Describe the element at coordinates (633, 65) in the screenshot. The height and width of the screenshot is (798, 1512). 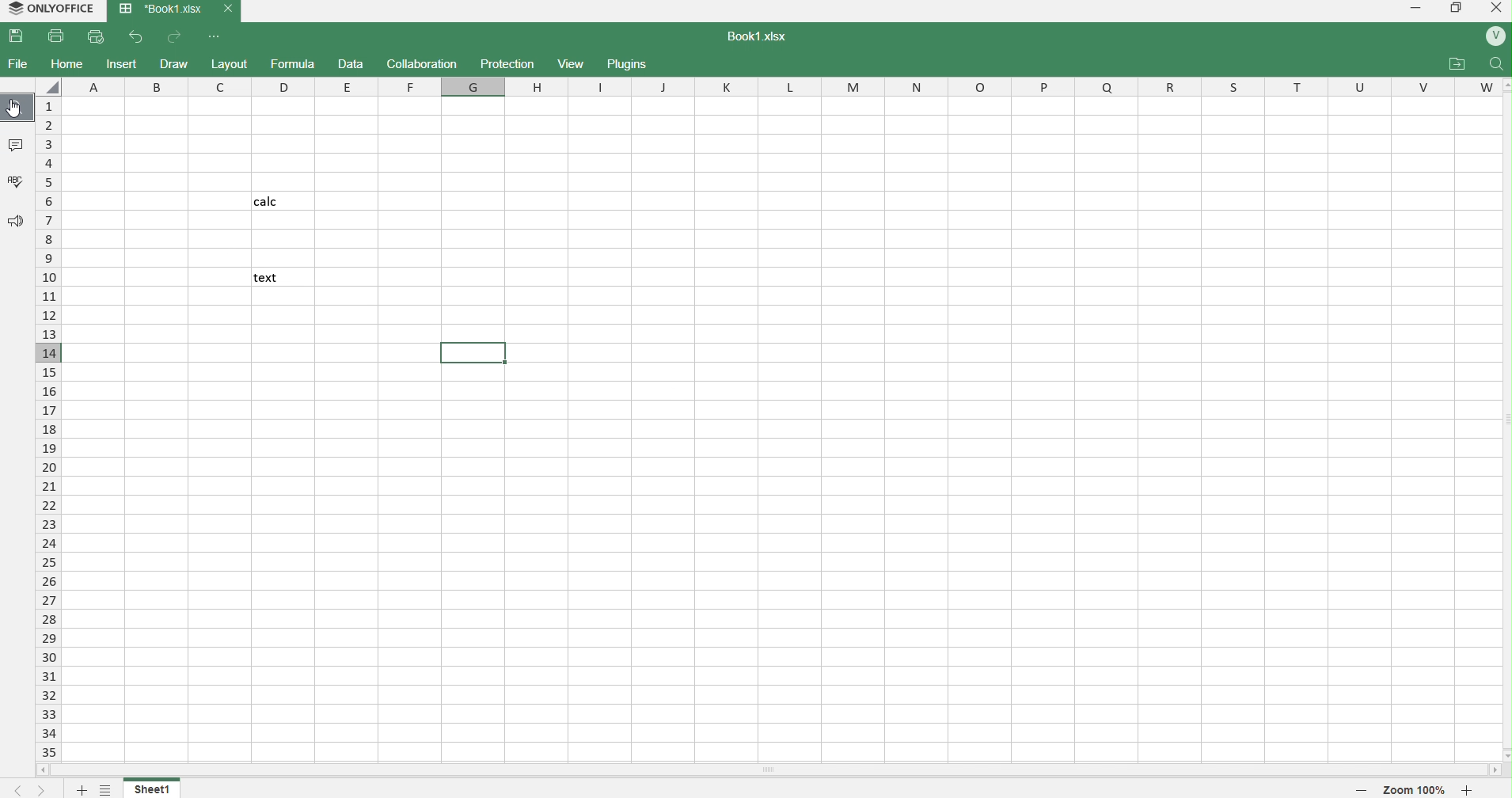
I see `plugins` at that location.